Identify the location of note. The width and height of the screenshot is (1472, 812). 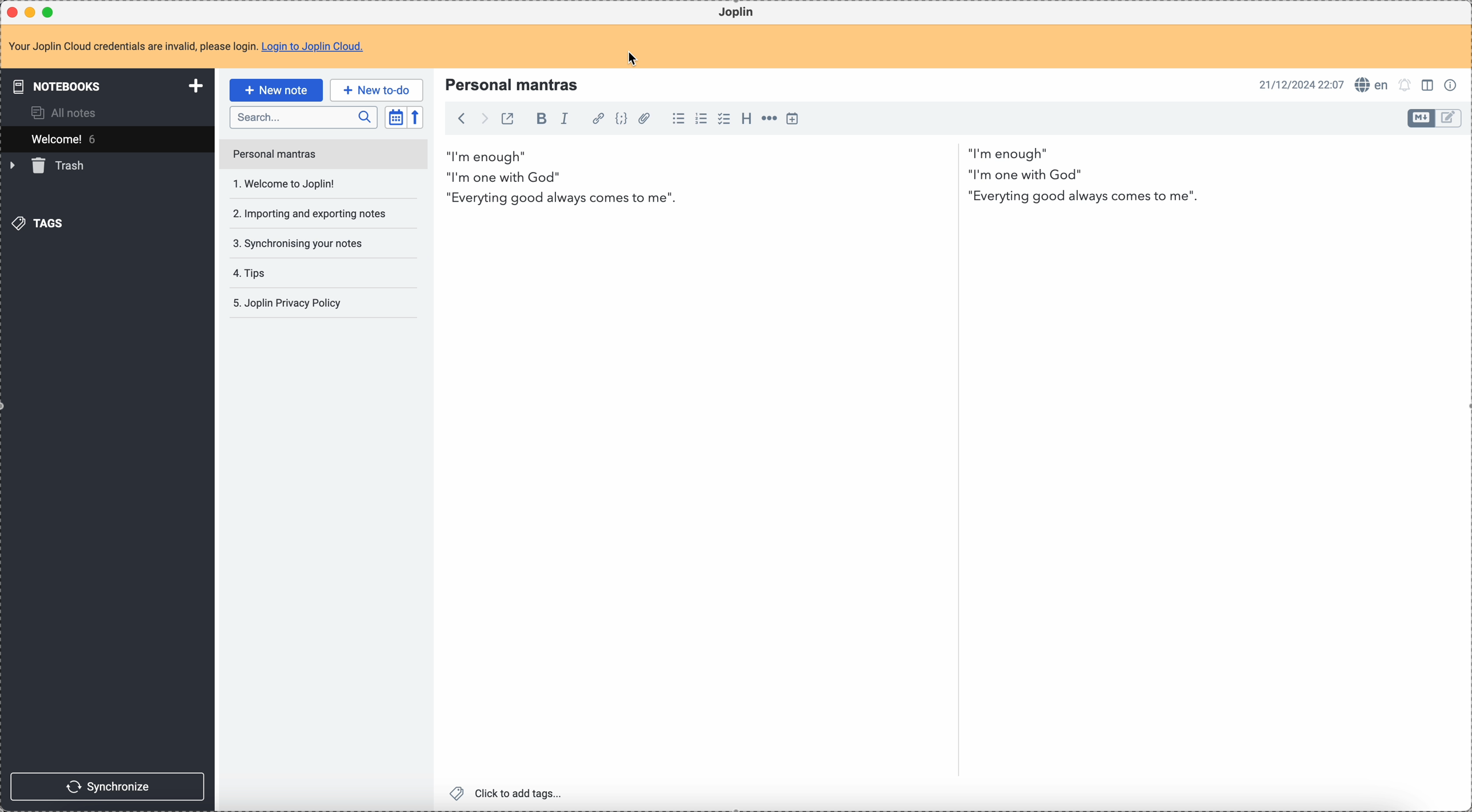
(190, 46).